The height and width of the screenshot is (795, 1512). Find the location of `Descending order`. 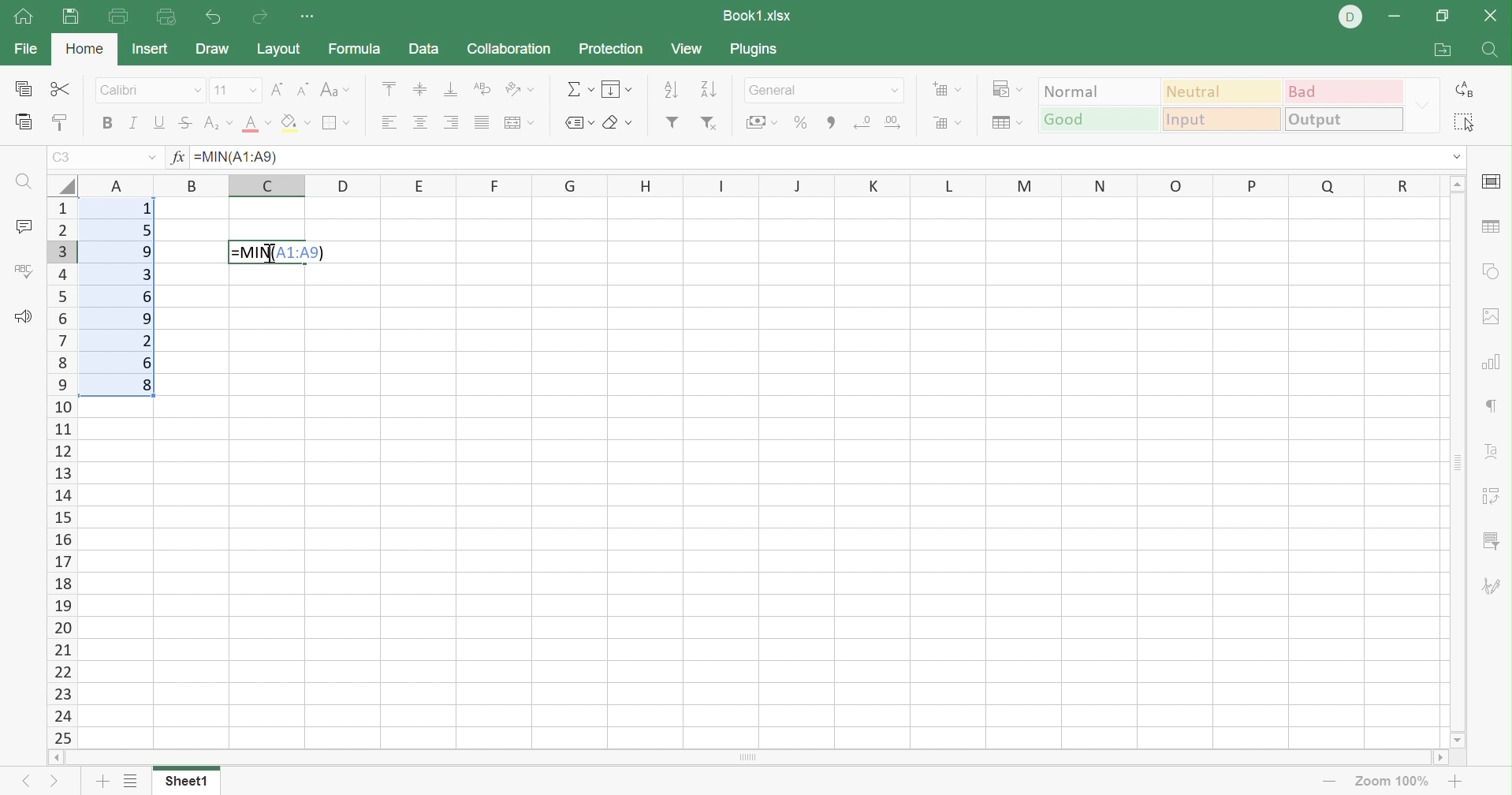

Descending order is located at coordinates (709, 90).